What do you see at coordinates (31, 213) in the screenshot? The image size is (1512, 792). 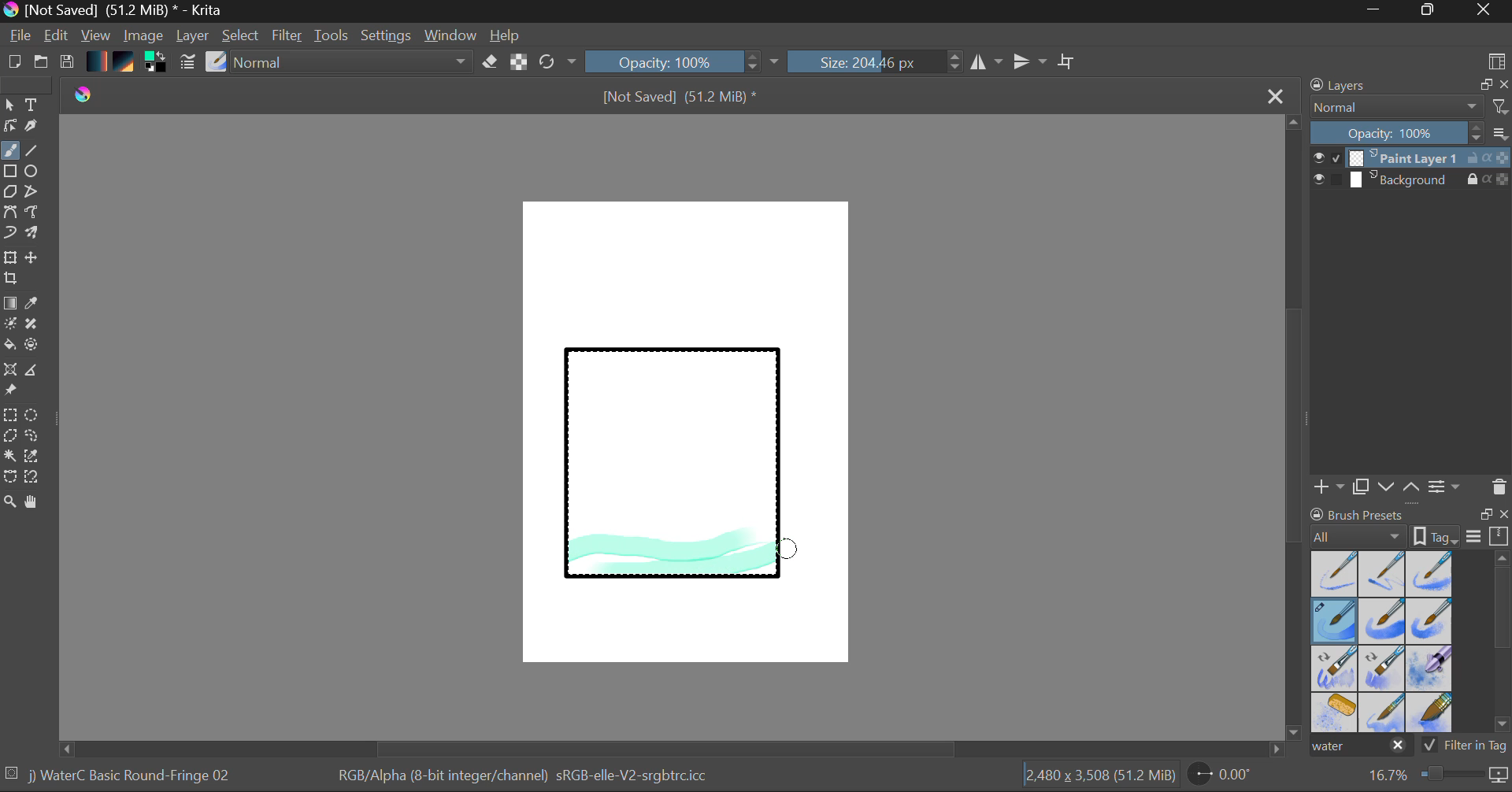 I see `Freehand Path Tool` at bounding box center [31, 213].